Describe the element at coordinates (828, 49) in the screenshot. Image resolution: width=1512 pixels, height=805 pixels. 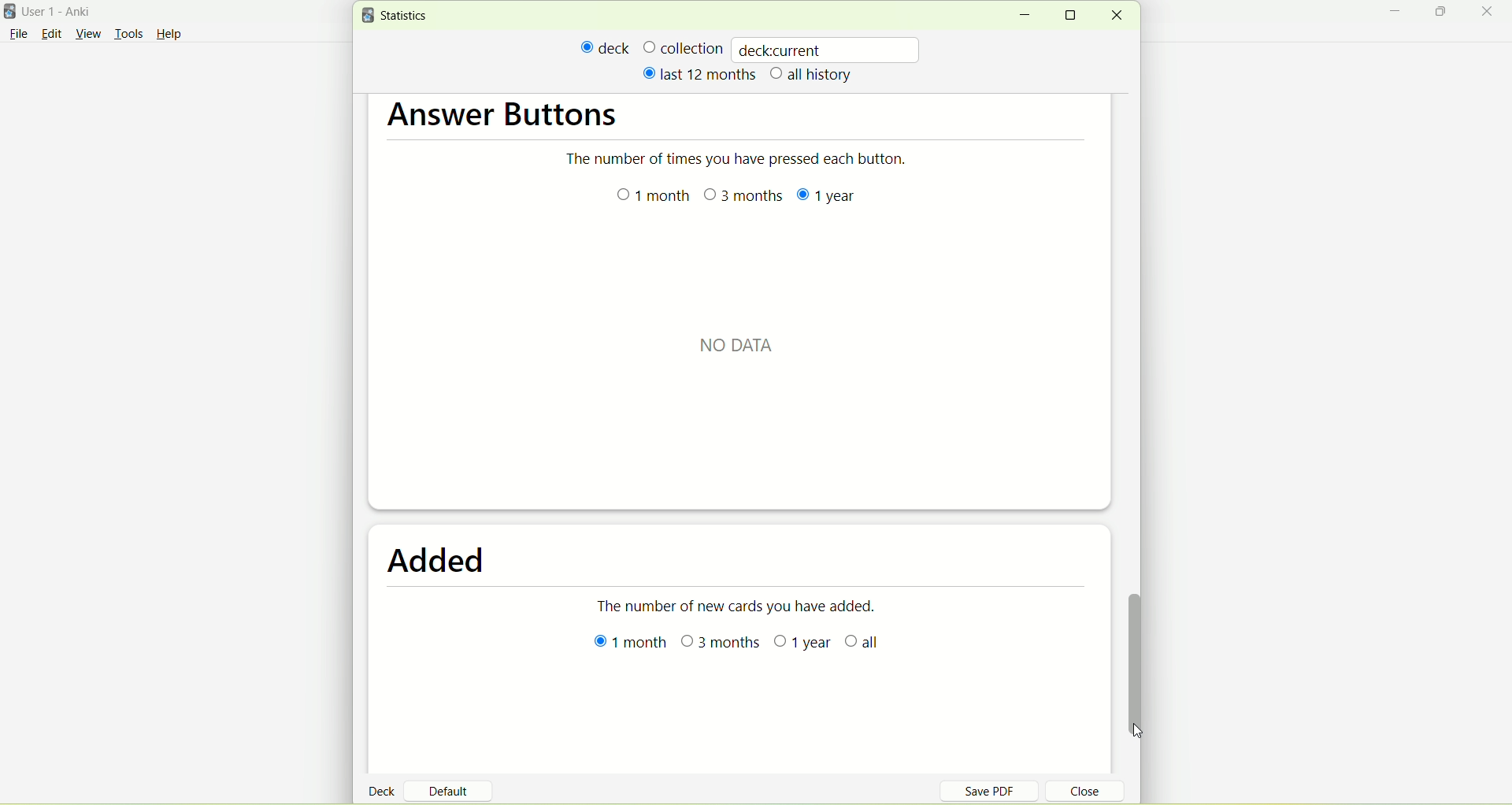
I see `deckcurrent` at that location.